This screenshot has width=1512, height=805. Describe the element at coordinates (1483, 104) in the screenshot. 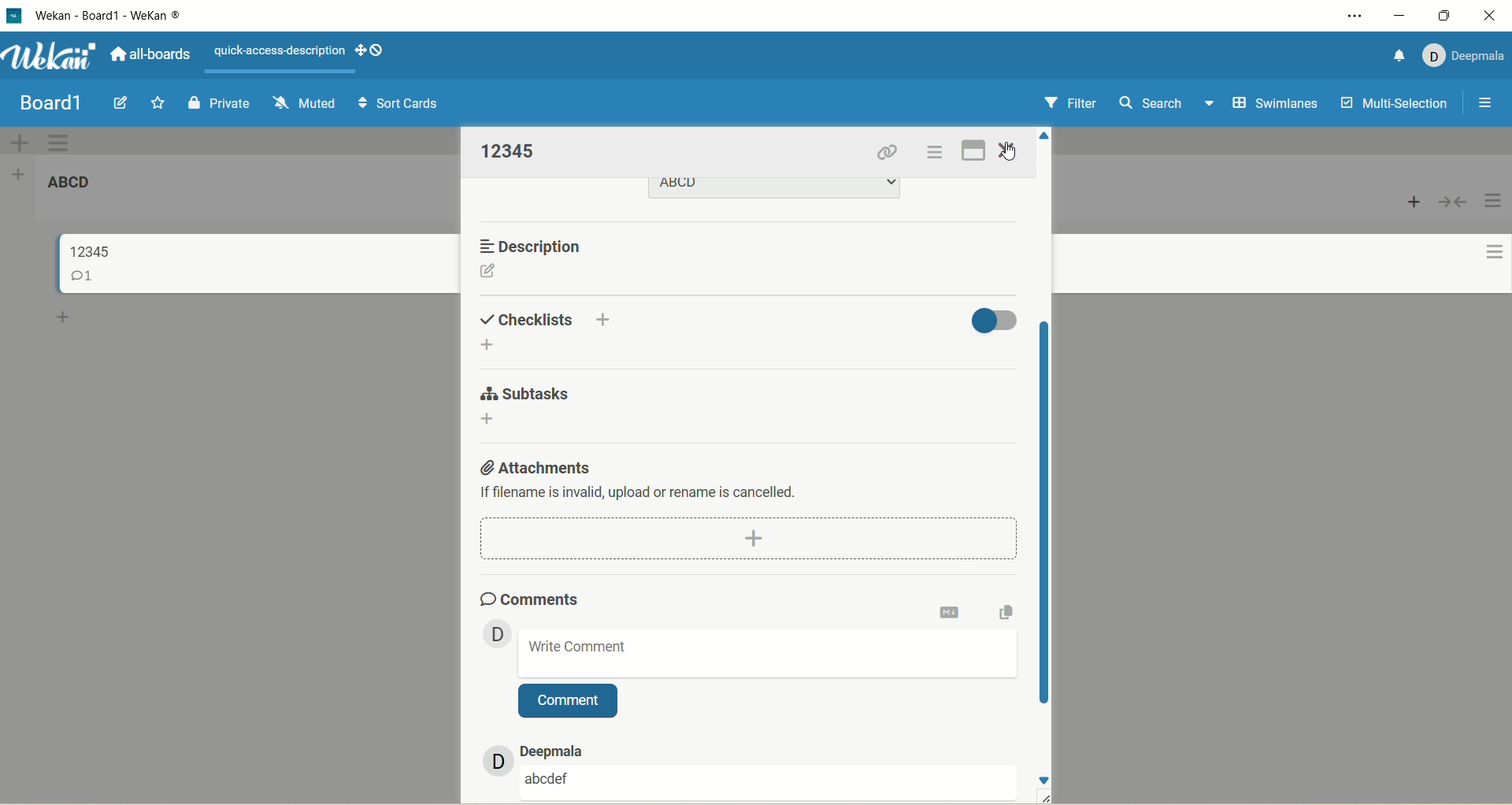

I see `open/close sidebar` at that location.